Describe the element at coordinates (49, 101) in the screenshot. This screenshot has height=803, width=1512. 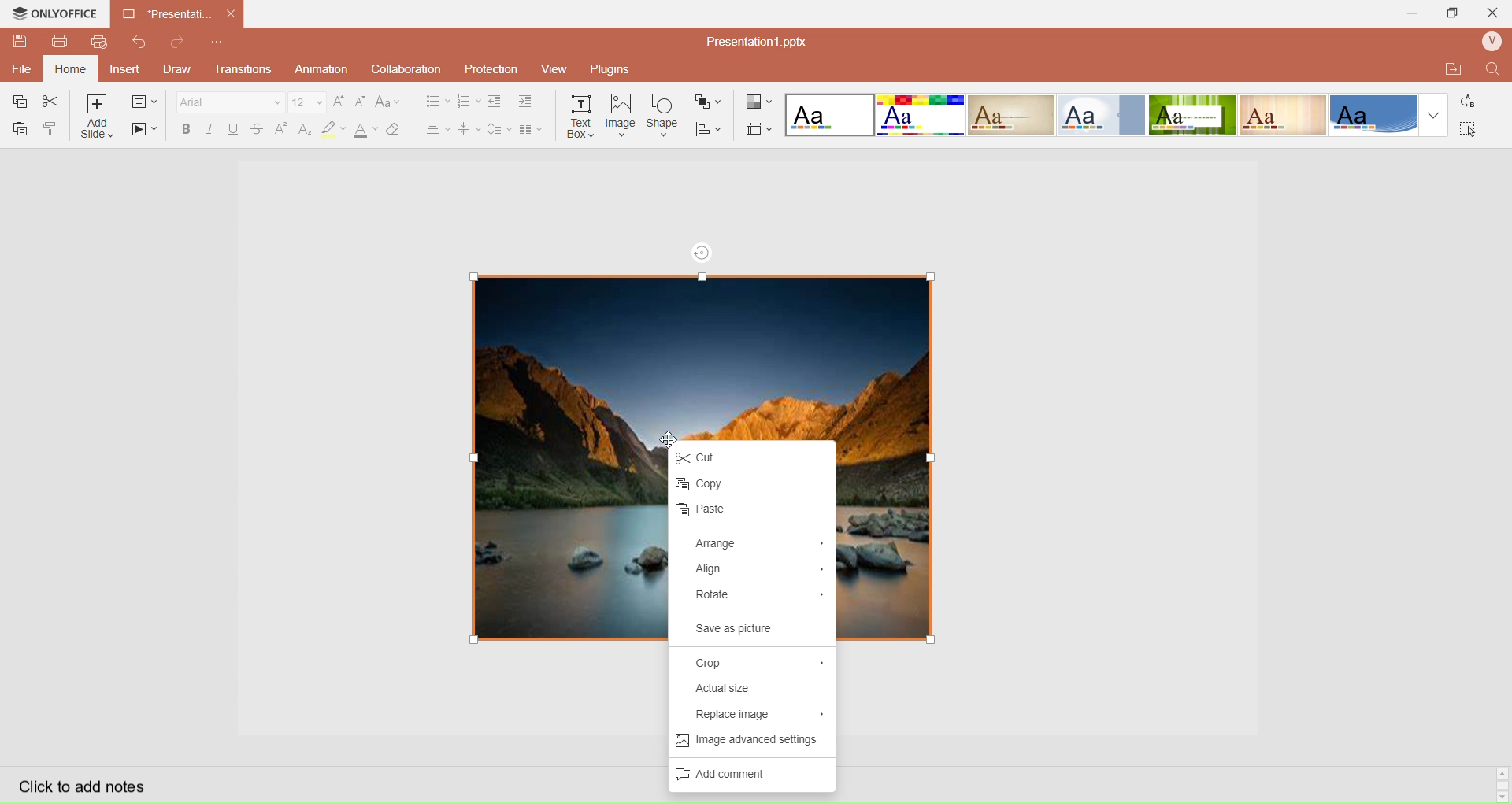
I see `Cut` at that location.